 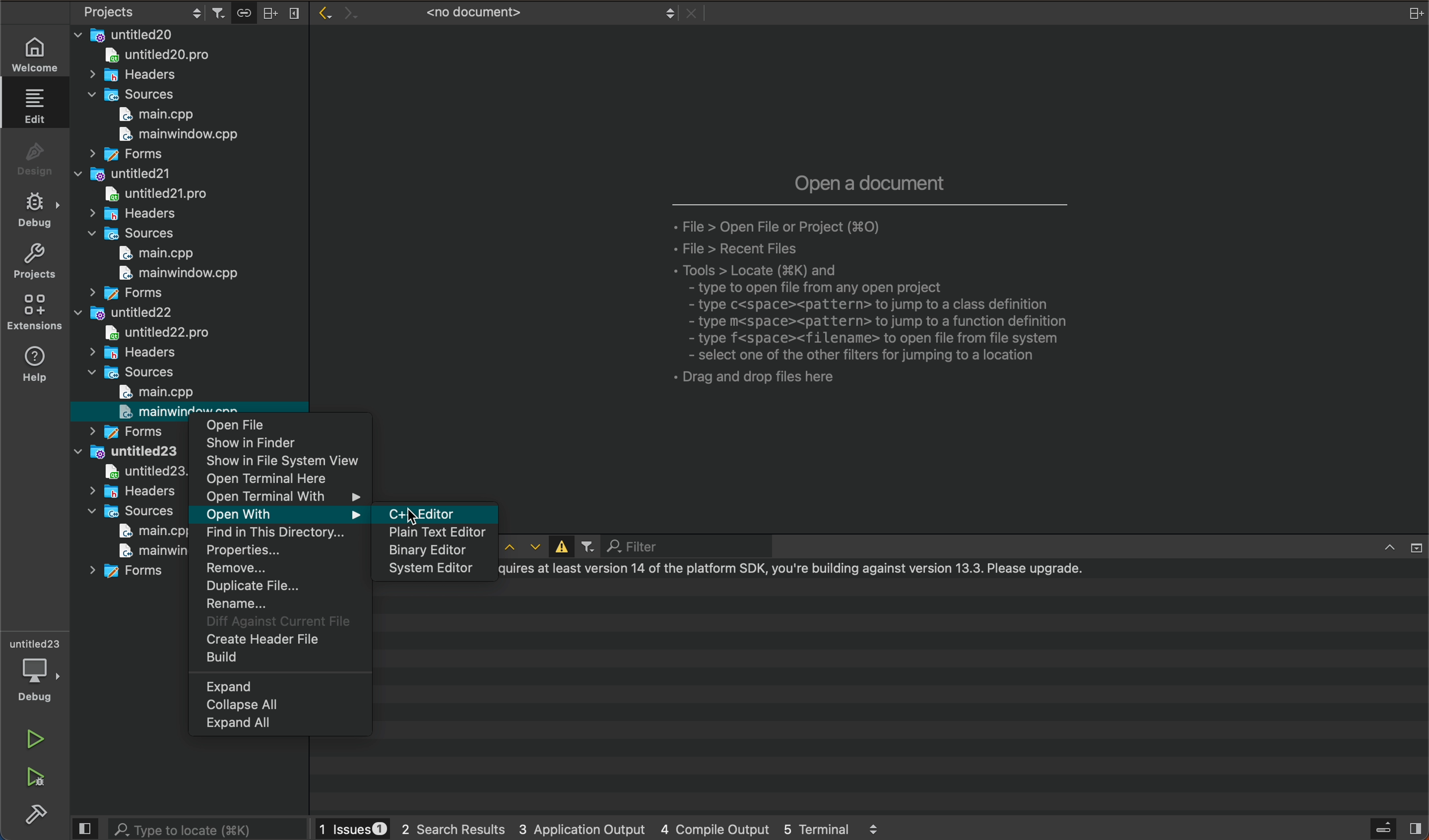 What do you see at coordinates (521, 547) in the screenshot?
I see `arrows` at bounding box center [521, 547].